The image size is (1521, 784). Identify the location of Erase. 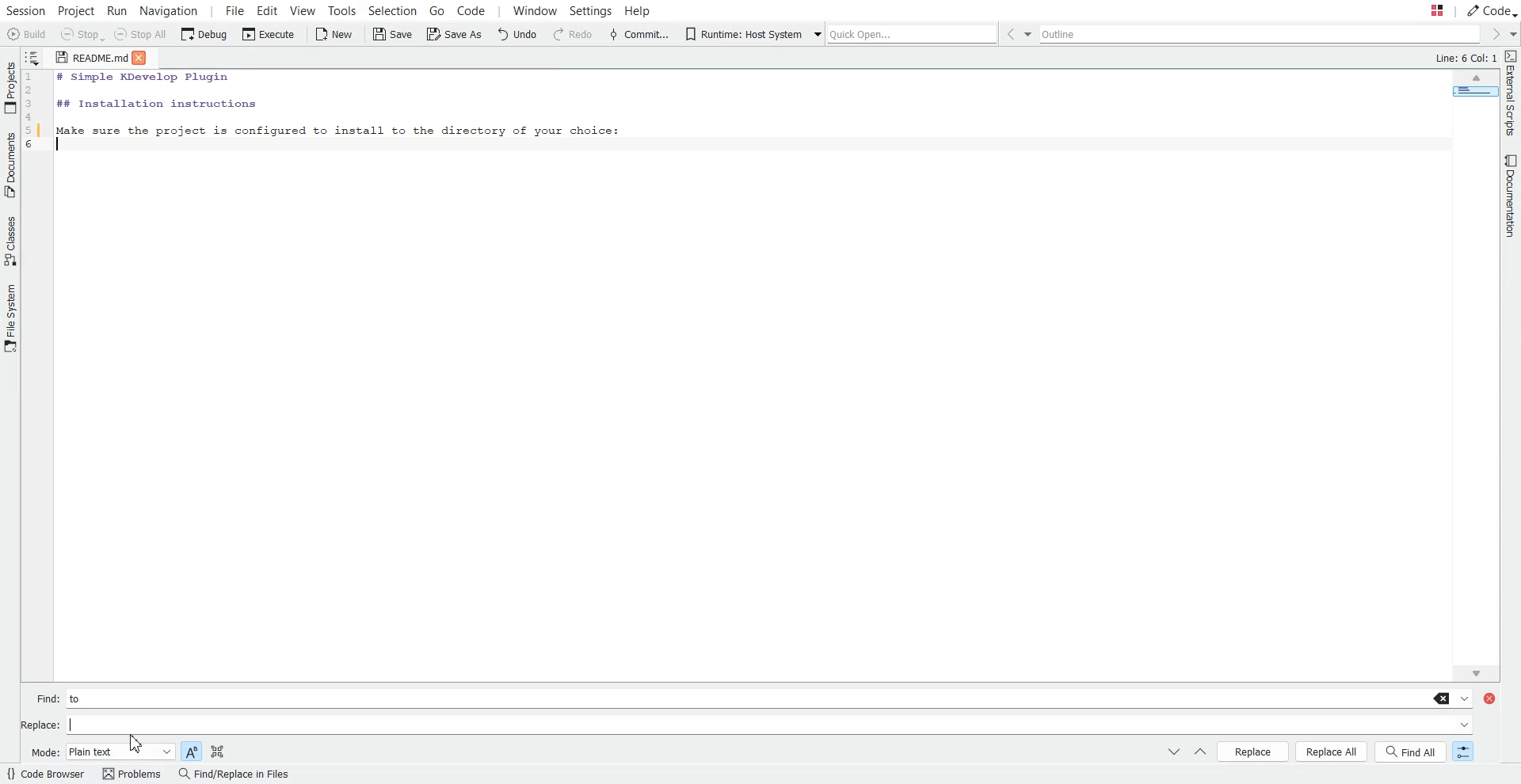
(1443, 698).